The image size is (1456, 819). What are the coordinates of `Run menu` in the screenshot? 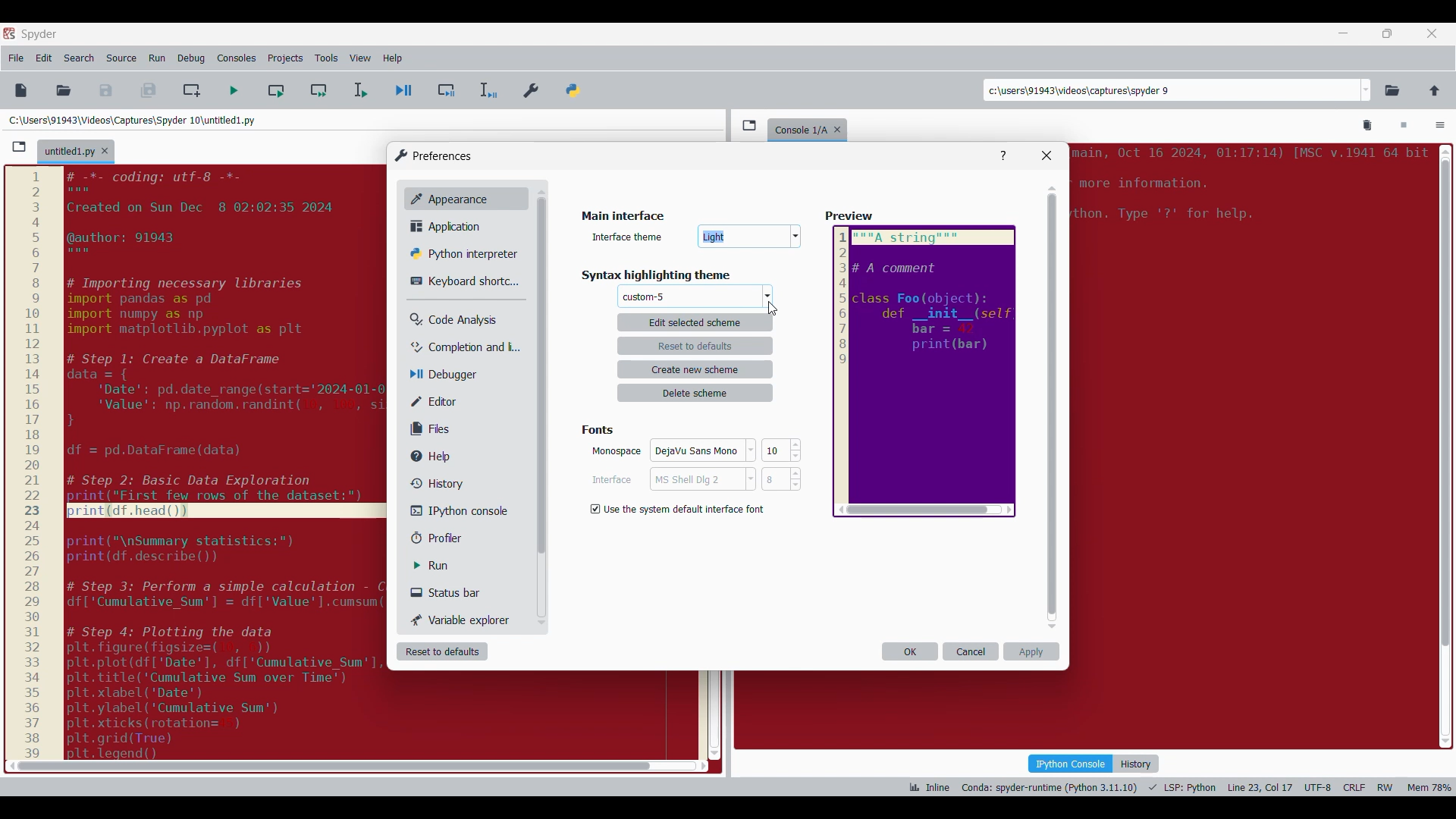 It's located at (157, 58).